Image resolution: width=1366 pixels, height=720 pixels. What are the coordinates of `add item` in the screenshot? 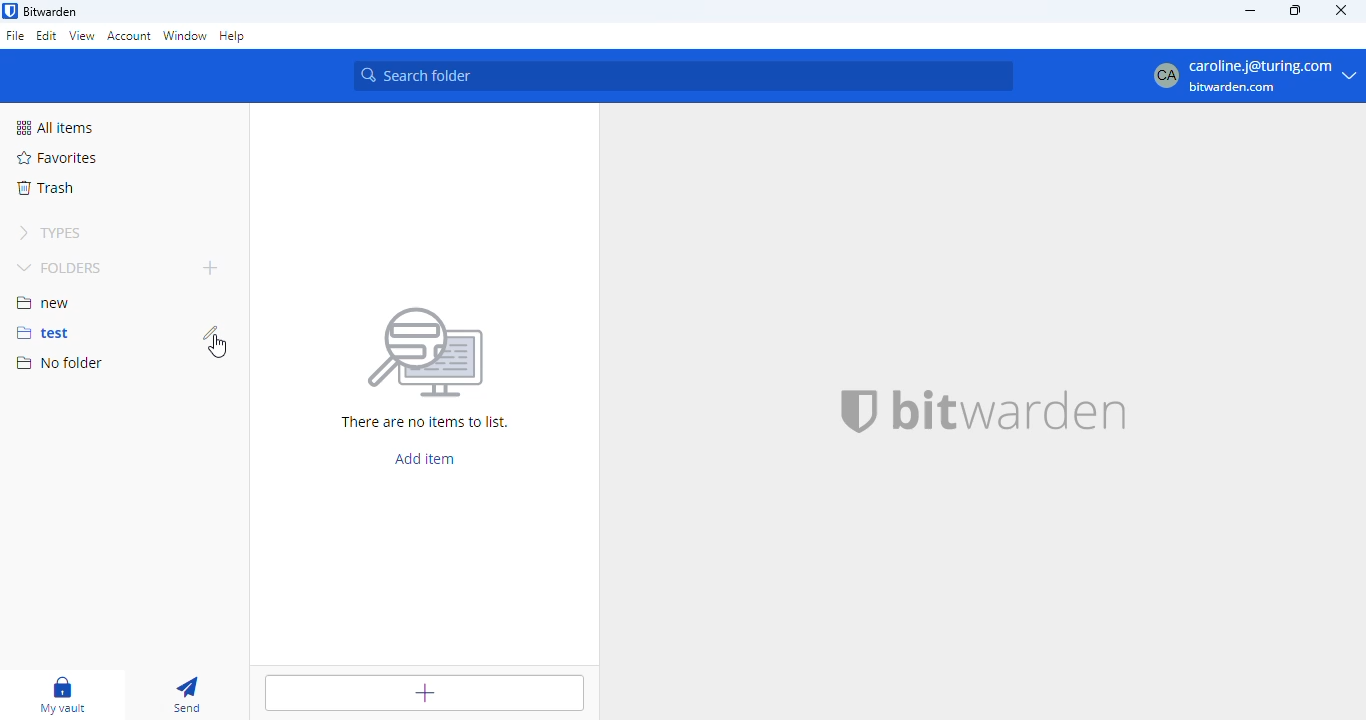 It's located at (423, 459).